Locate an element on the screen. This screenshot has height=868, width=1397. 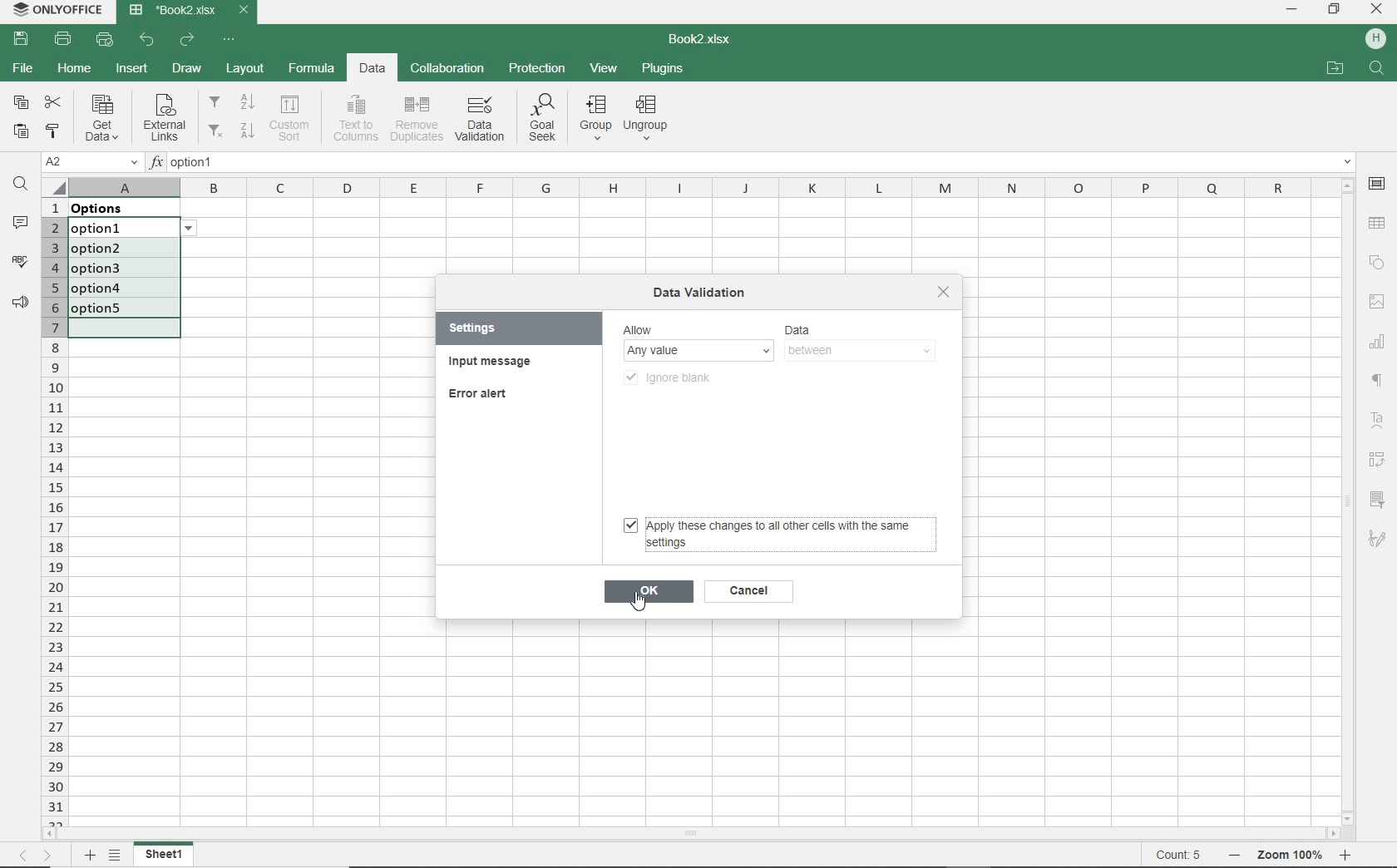
COUNT:5 is located at coordinates (1178, 856).